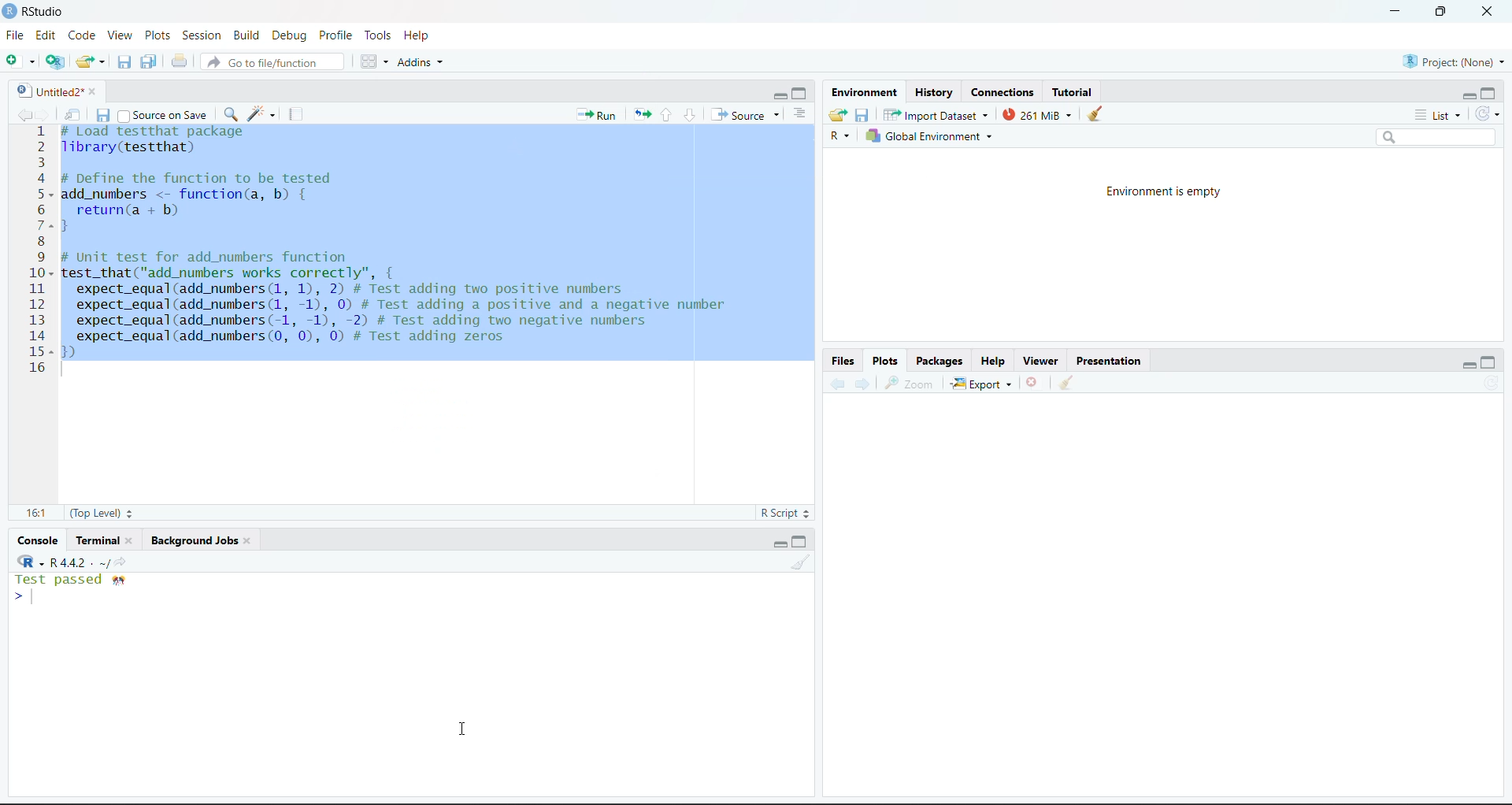 The height and width of the screenshot is (805, 1512). What do you see at coordinates (20, 62) in the screenshot?
I see `New file` at bounding box center [20, 62].